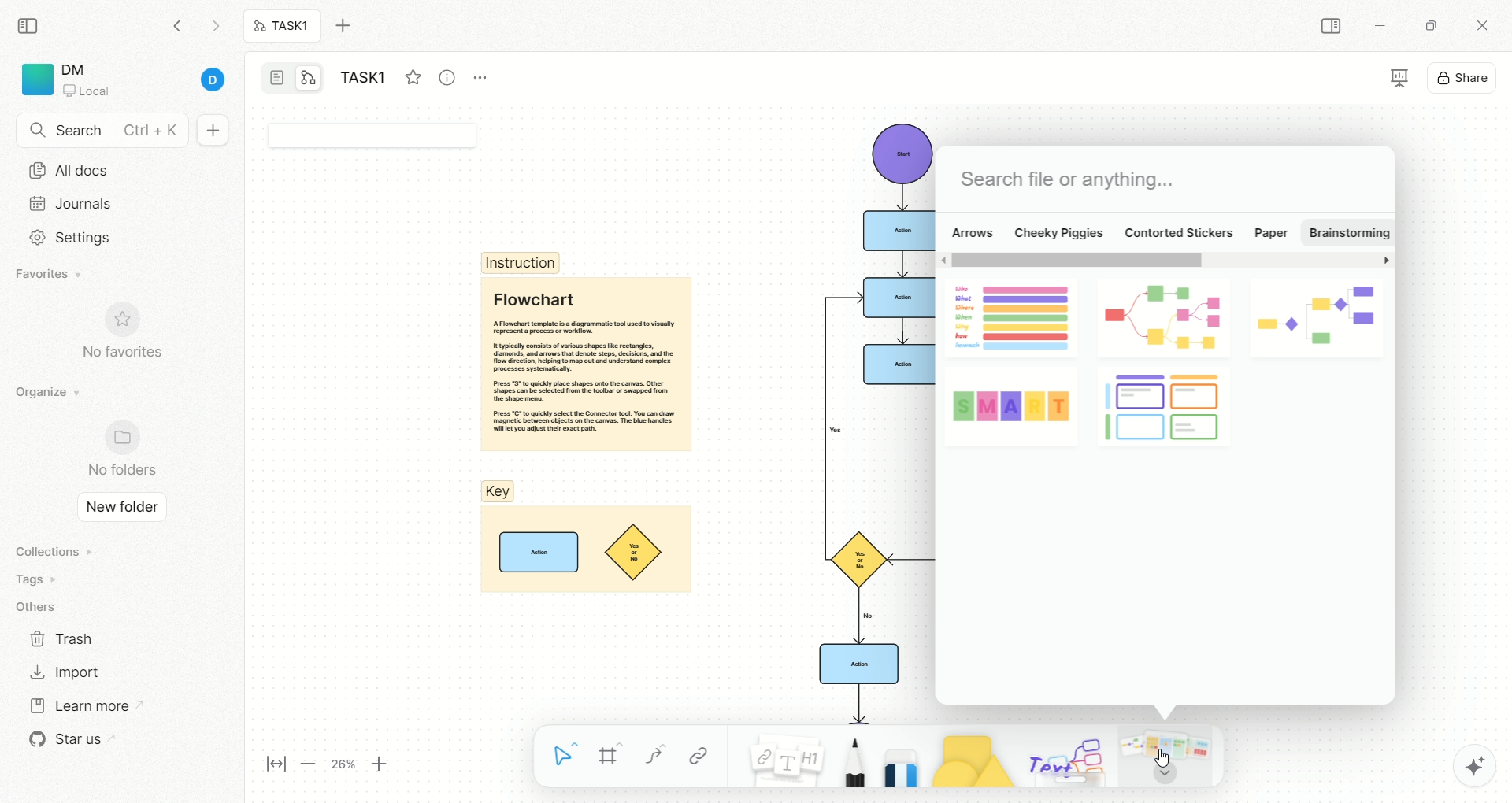  What do you see at coordinates (147, 81) in the screenshot?
I see `account details` at bounding box center [147, 81].